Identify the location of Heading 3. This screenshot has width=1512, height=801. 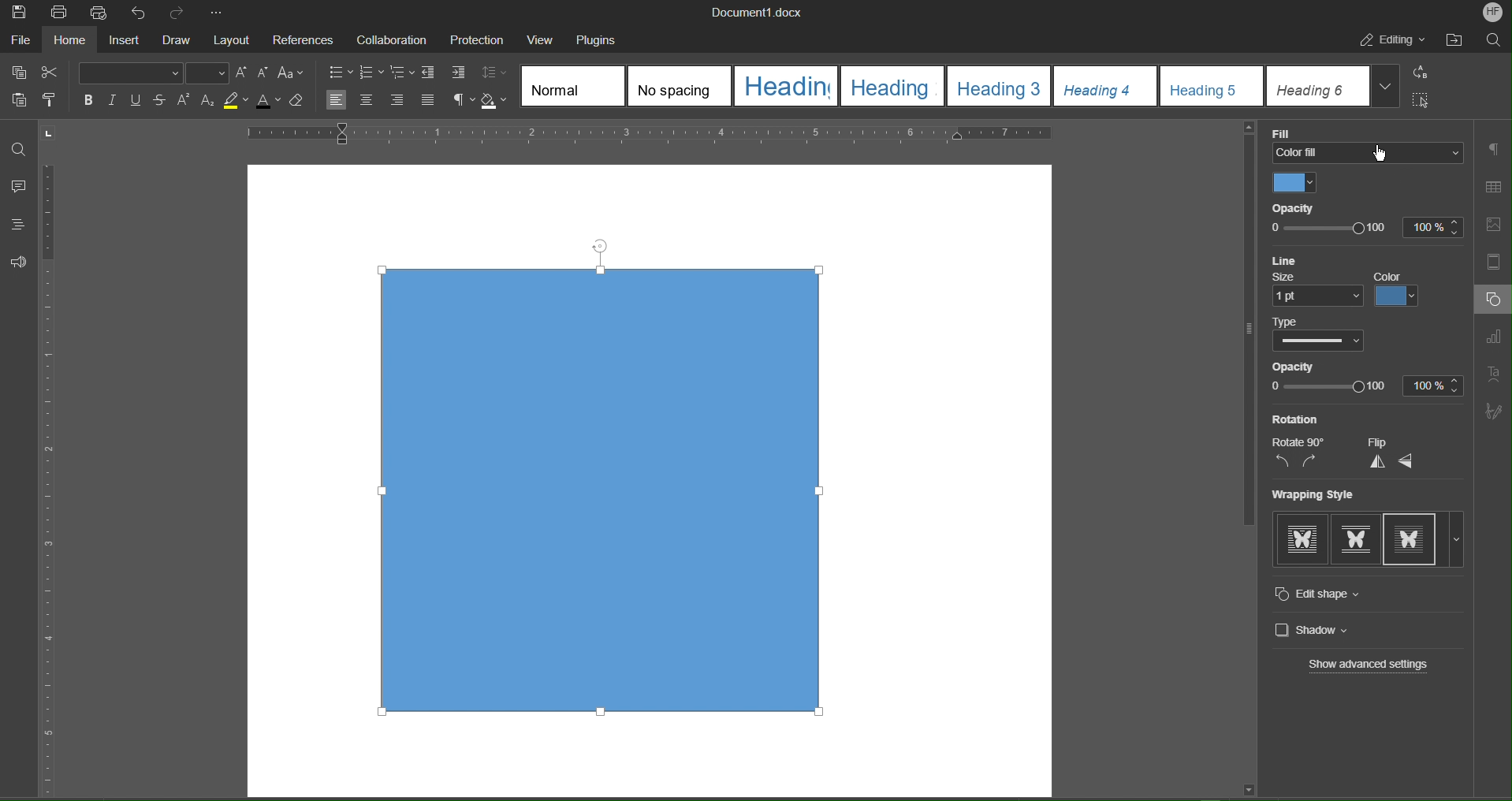
(999, 86).